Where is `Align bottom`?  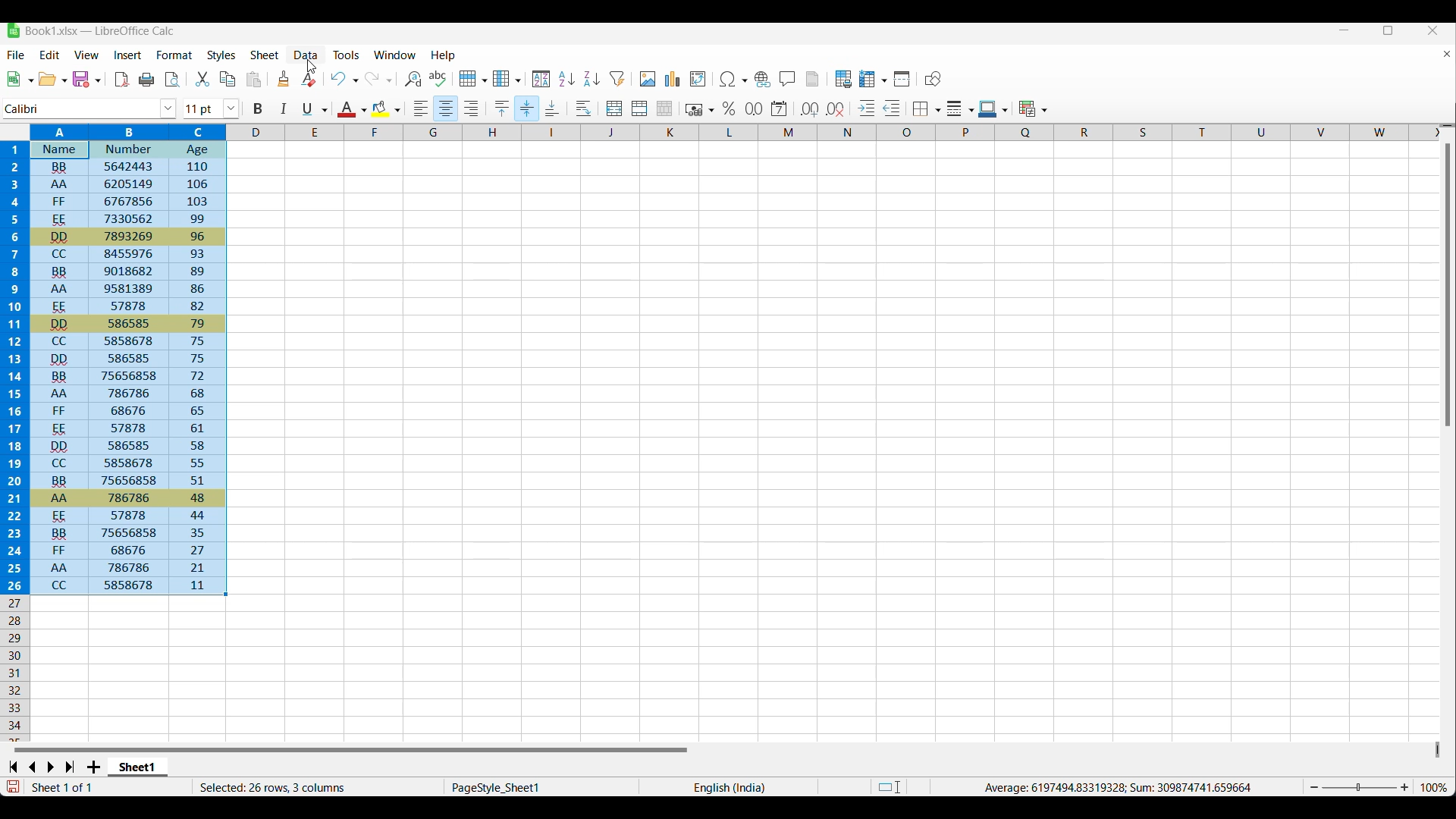
Align bottom is located at coordinates (553, 108).